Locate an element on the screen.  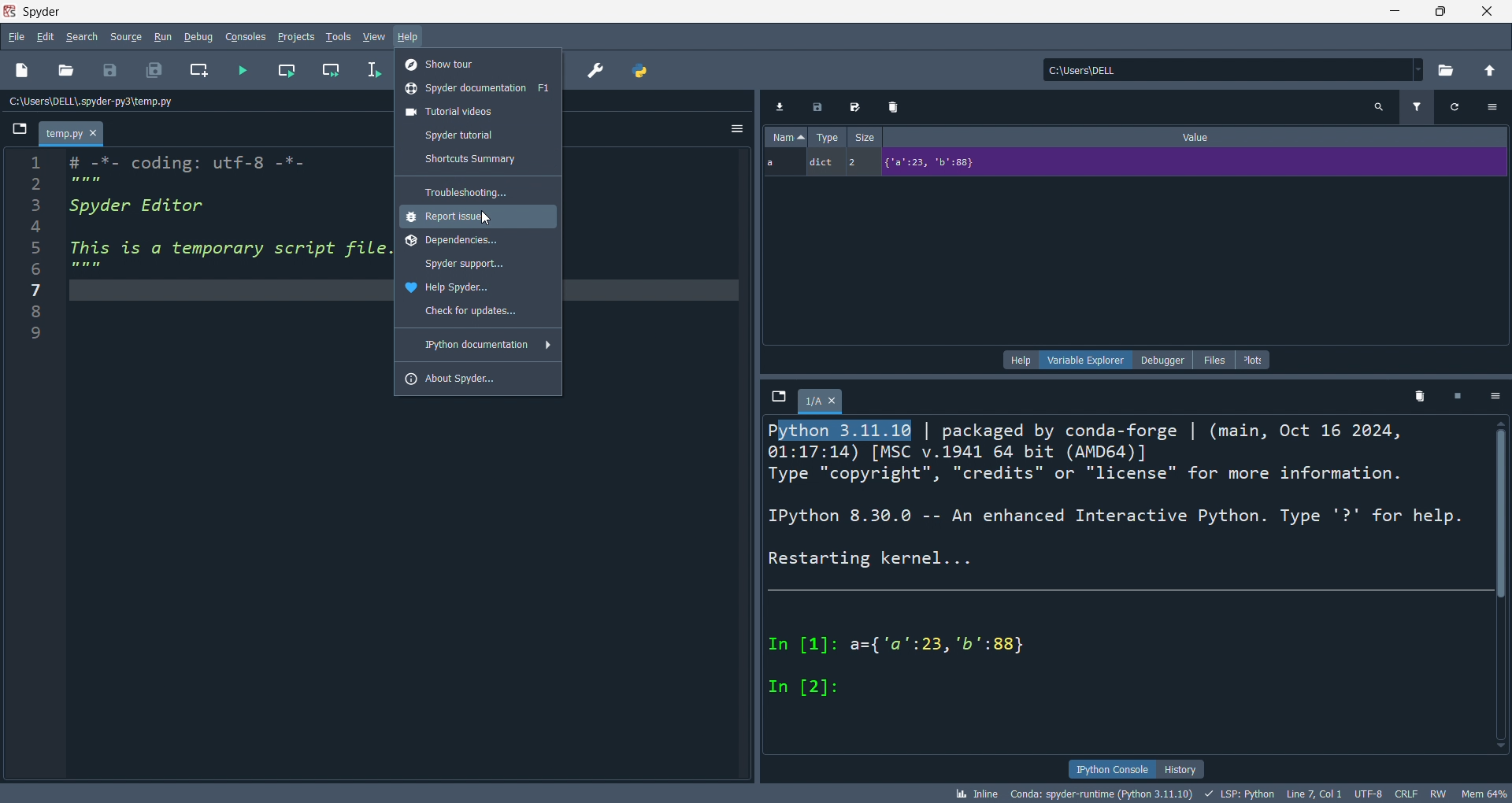
tools is located at coordinates (339, 38).